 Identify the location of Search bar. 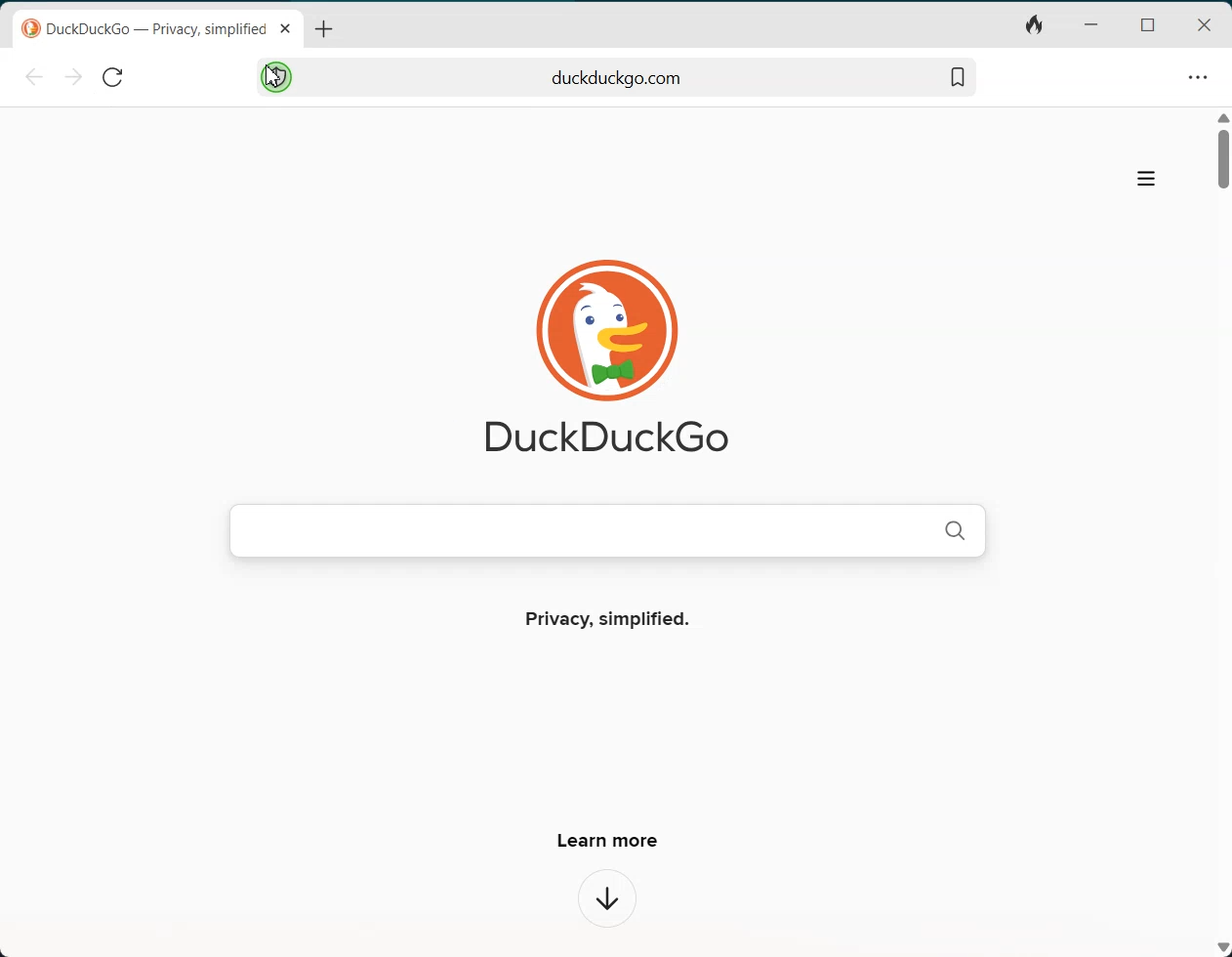
(618, 75).